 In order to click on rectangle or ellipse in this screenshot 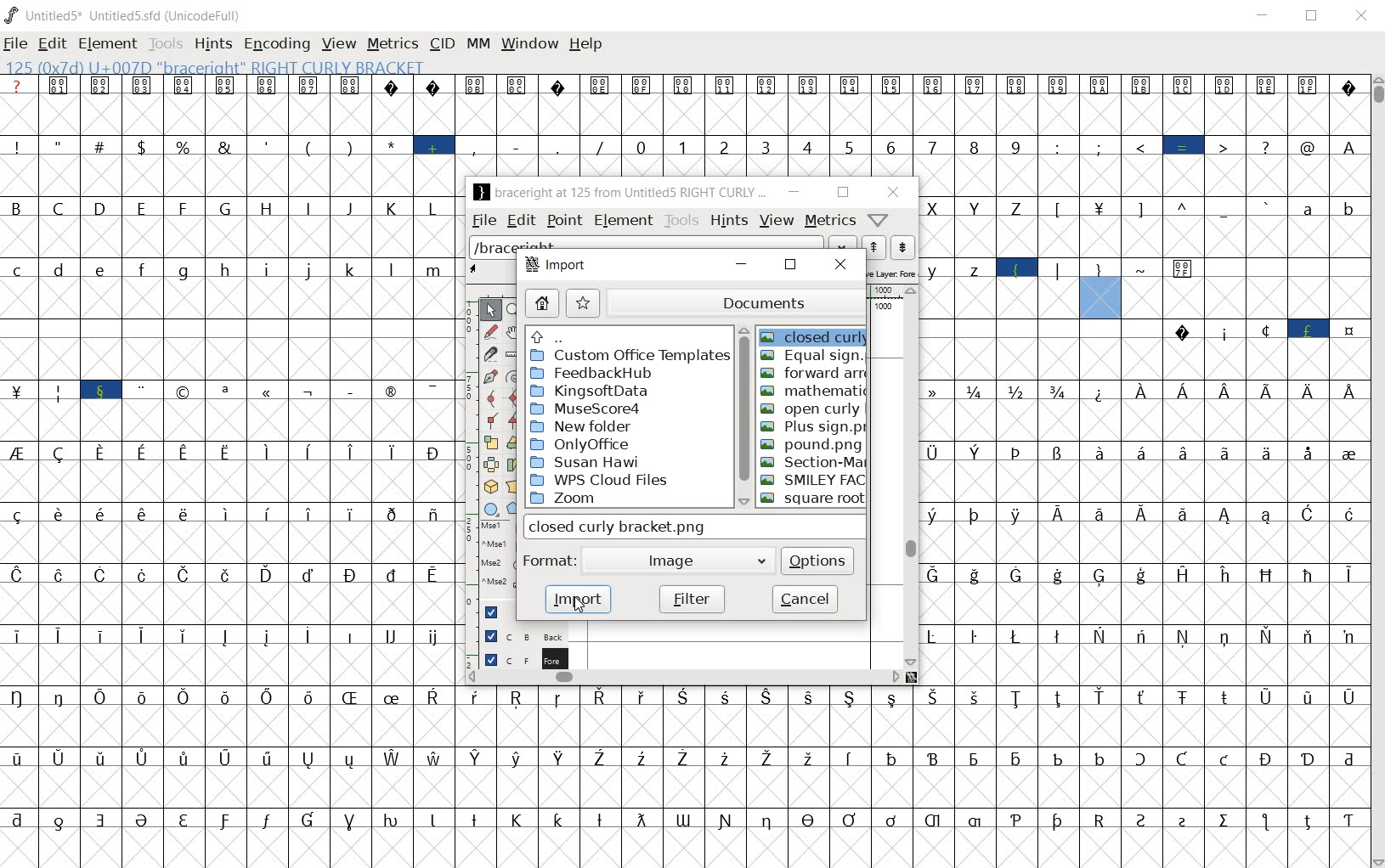, I will do `click(488, 508)`.